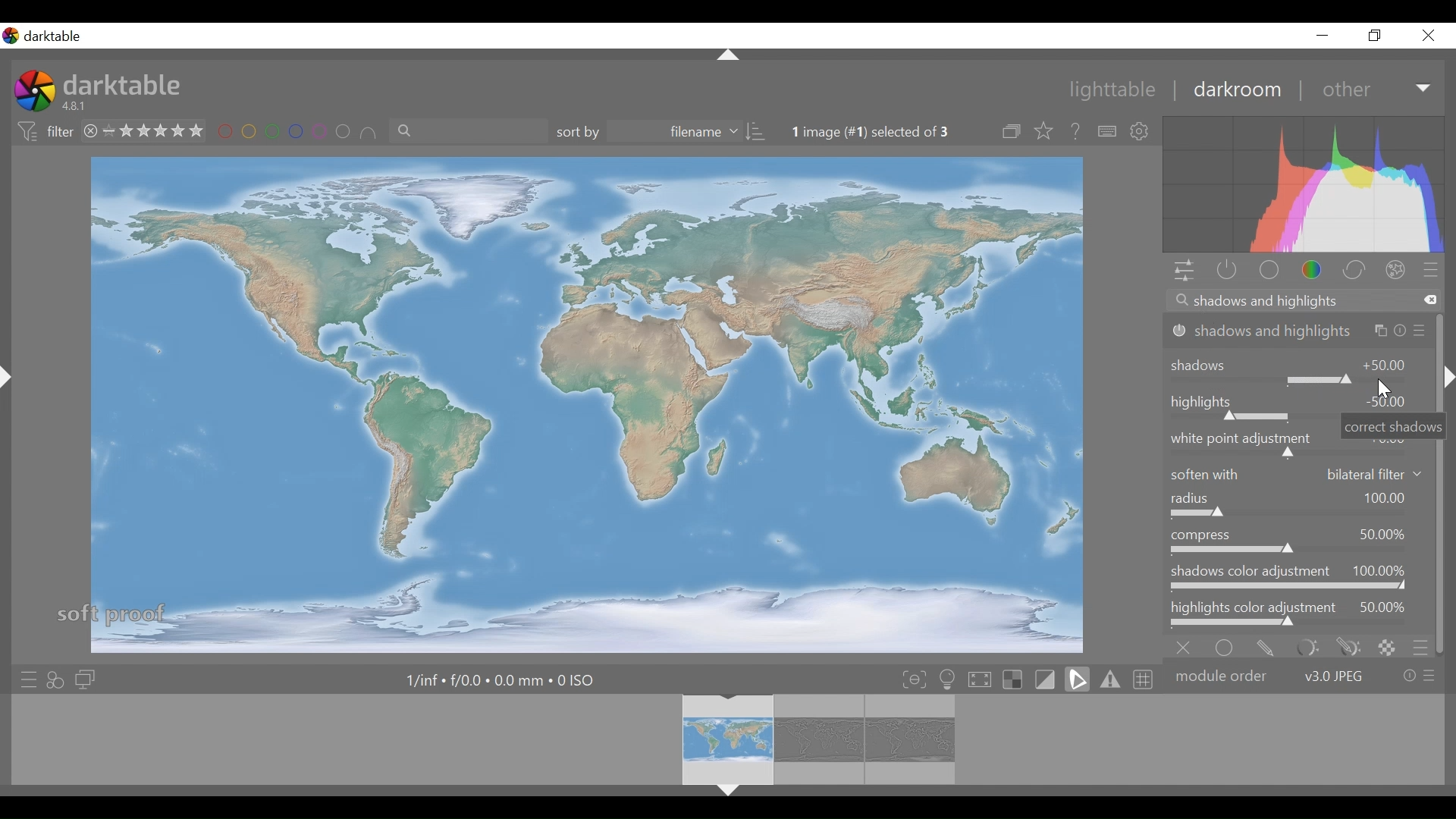 Image resolution: width=1456 pixels, height=819 pixels. Describe the element at coordinates (1015, 680) in the screenshot. I see `toggle indication of raw overexposure` at that location.